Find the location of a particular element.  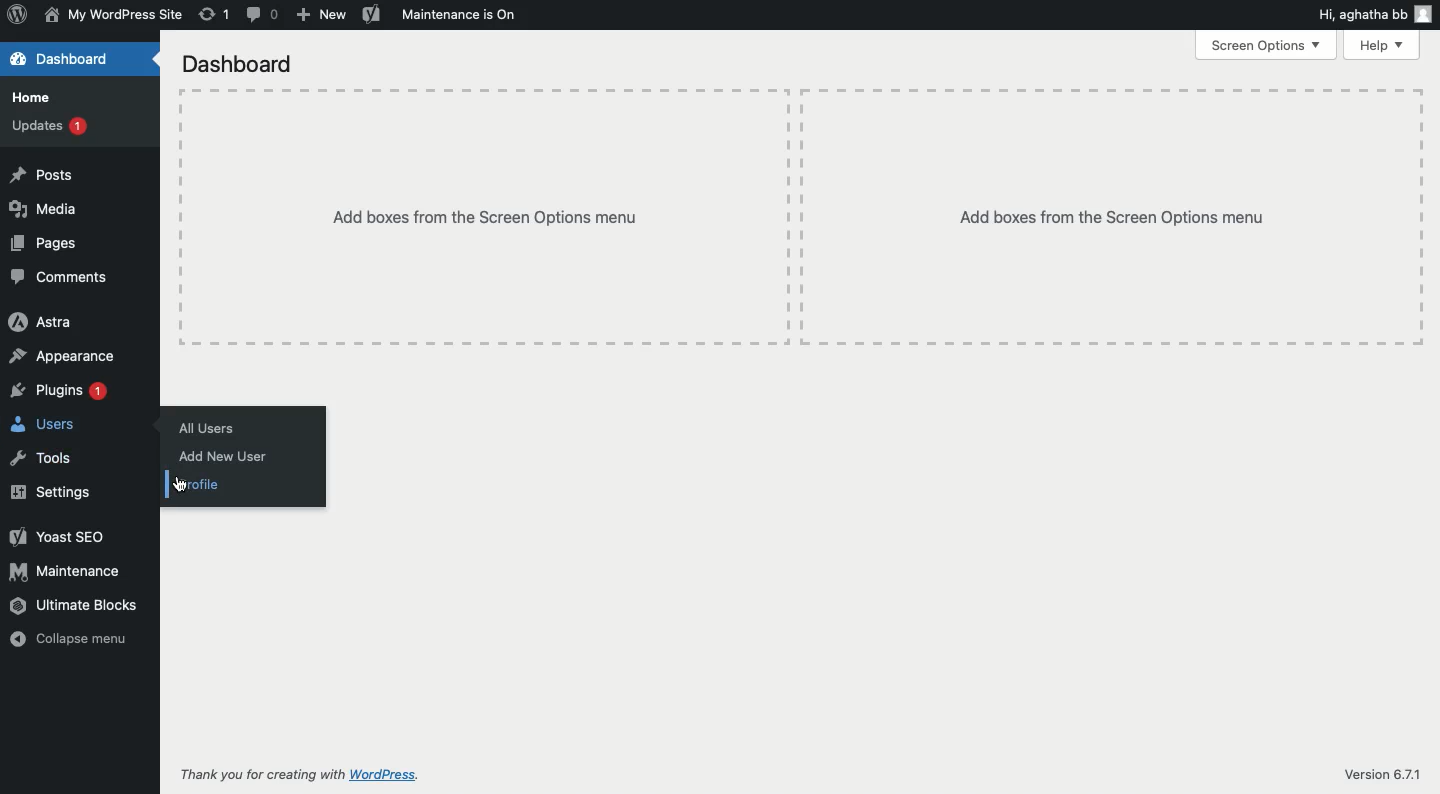

Ultimate blocks is located at coordinates (76, 609).